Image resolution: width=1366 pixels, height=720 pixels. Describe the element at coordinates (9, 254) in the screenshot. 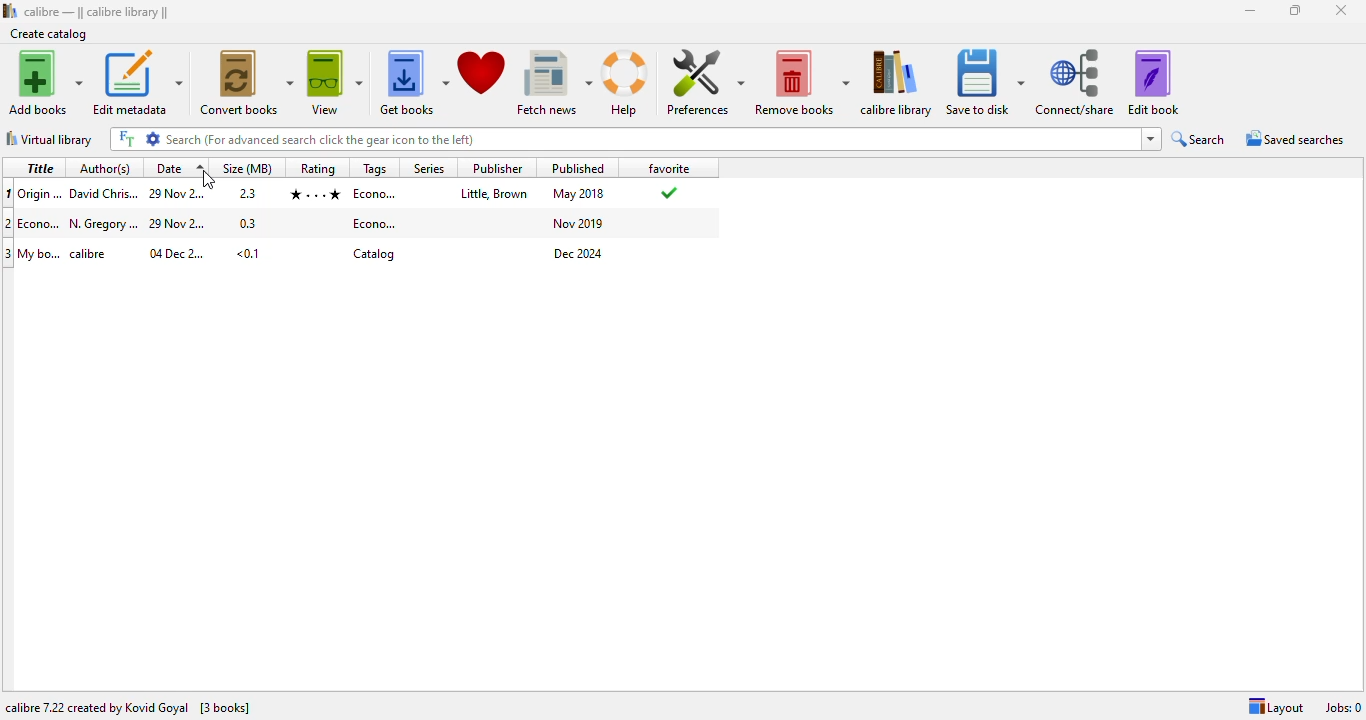

I see `3` at that location.